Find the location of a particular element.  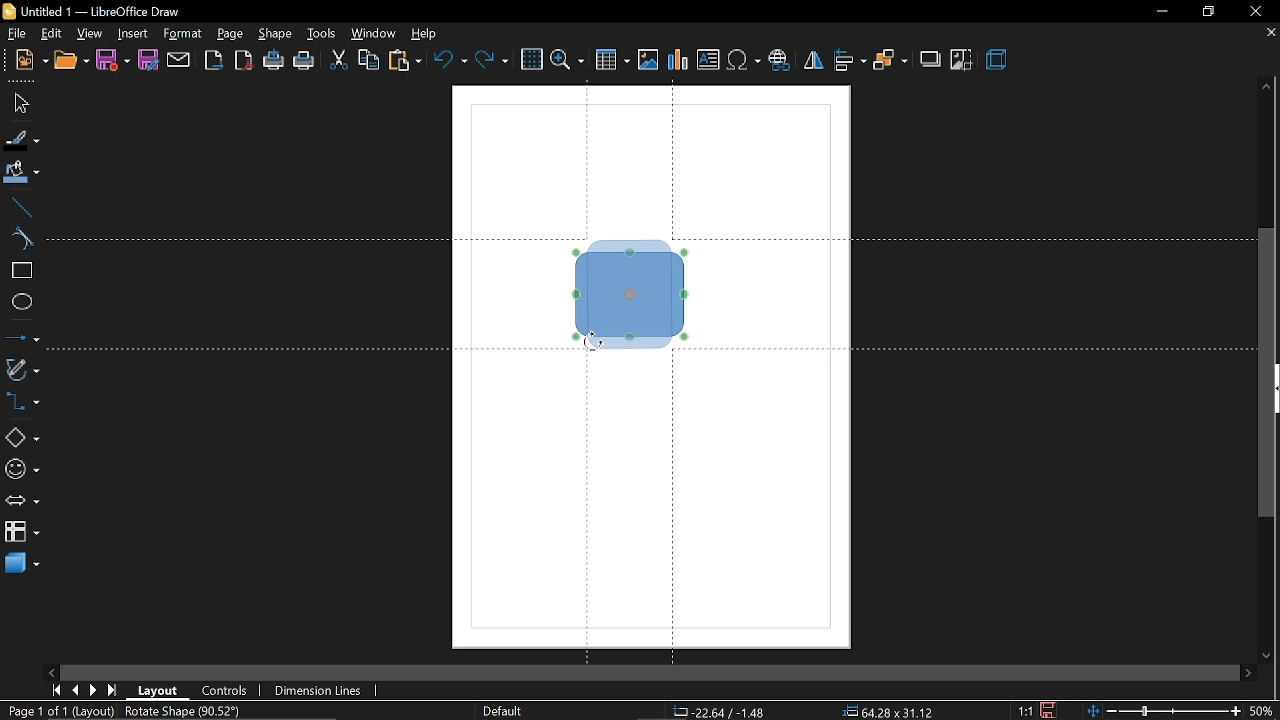

line is located at coordinates (19, 208).